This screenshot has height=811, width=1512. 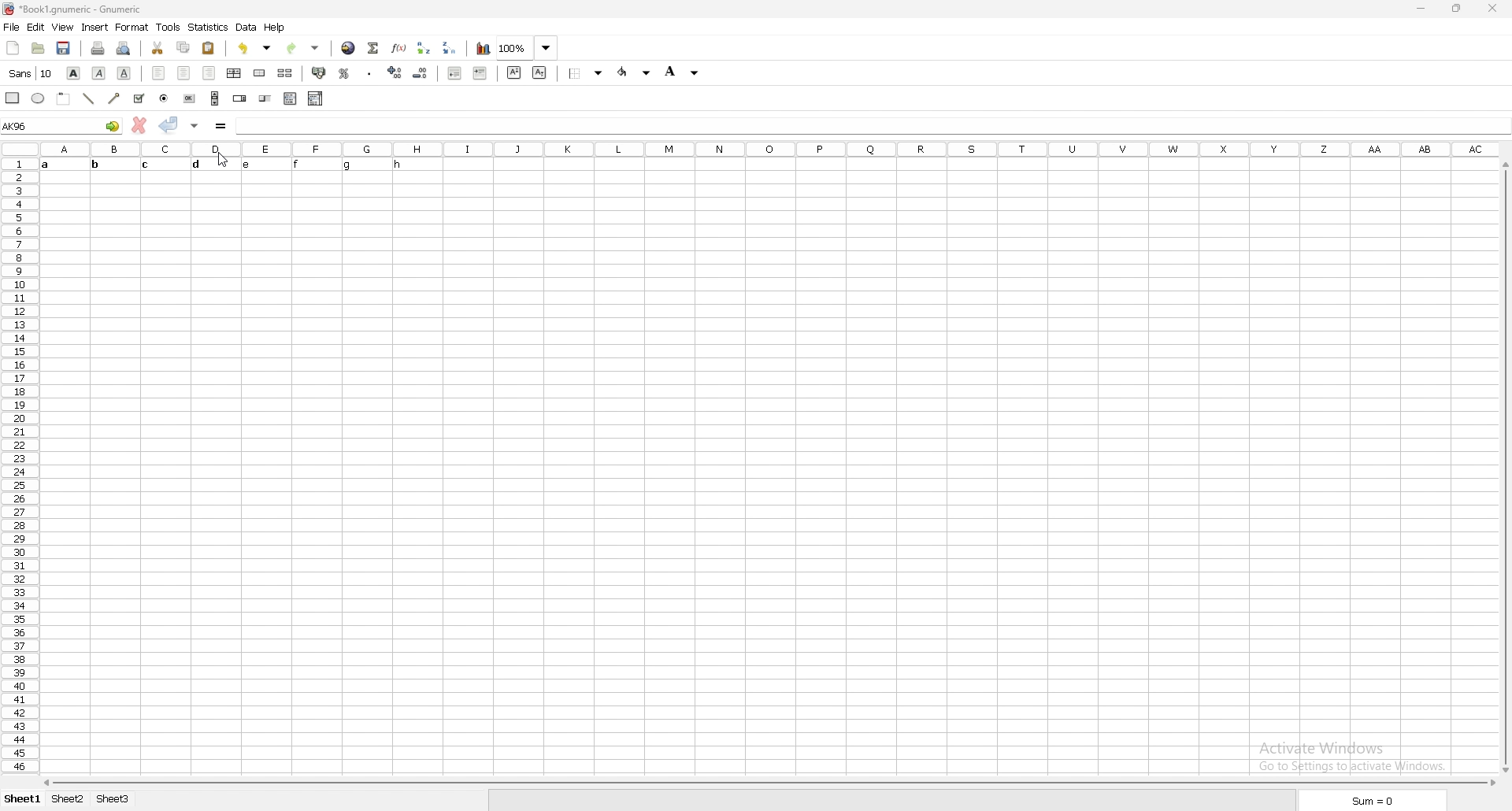 What do you see at coordinates (23, 800) in the screenshot?
I see `sheet 1` at bounding box center [23, 800].